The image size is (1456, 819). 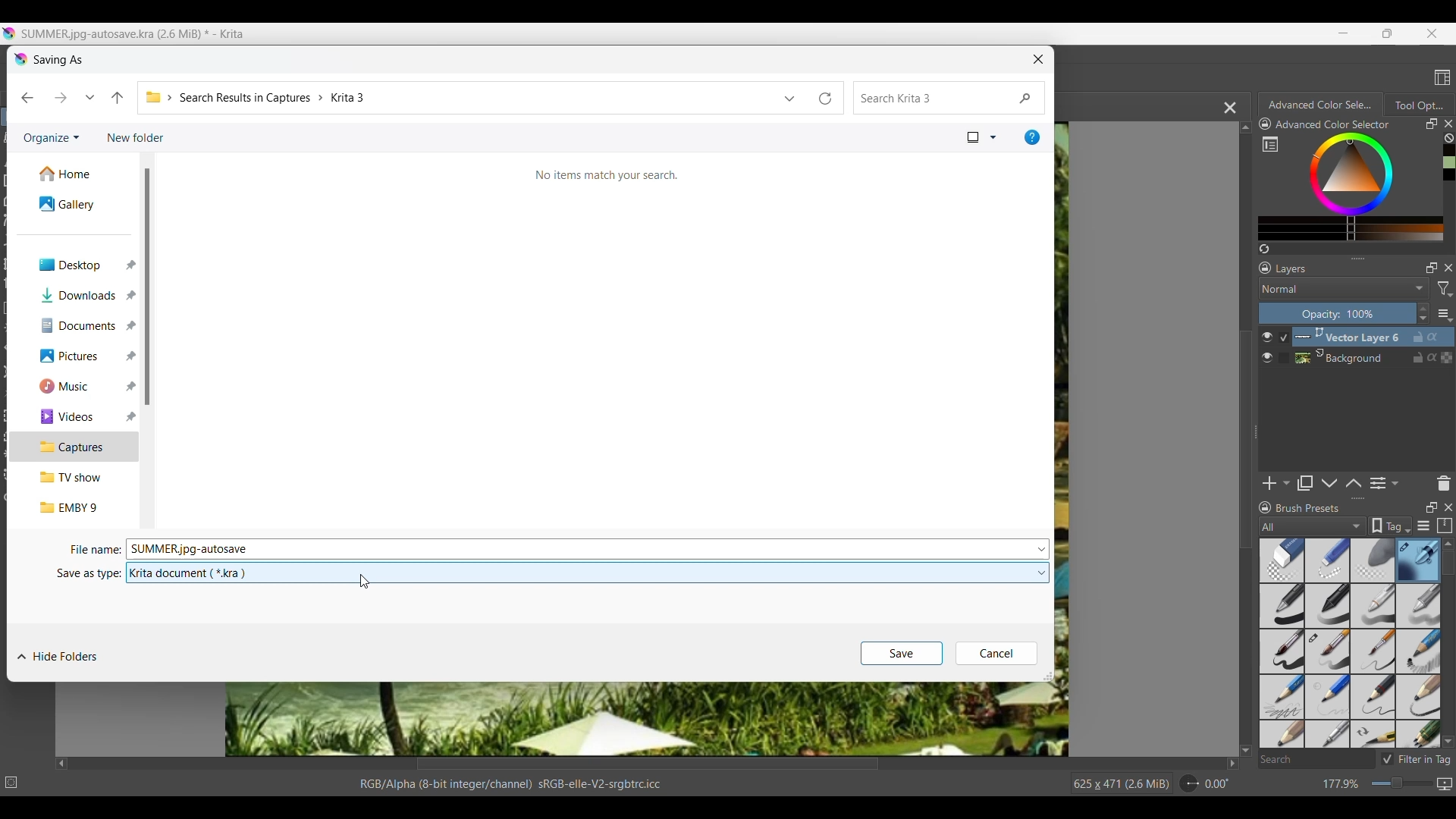 I want to click on Duplicate layer/mask, so click(x=1304, y=483).